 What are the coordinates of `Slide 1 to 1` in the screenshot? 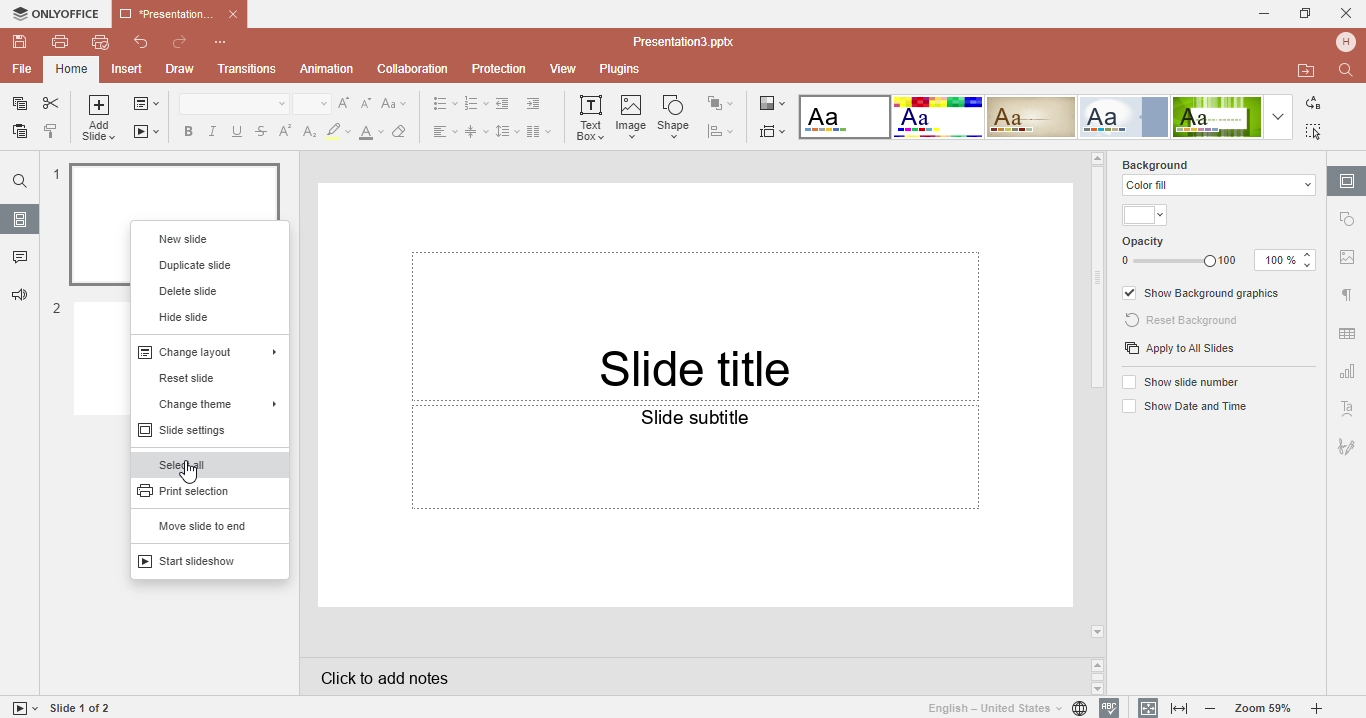 It's located at (82, 708).